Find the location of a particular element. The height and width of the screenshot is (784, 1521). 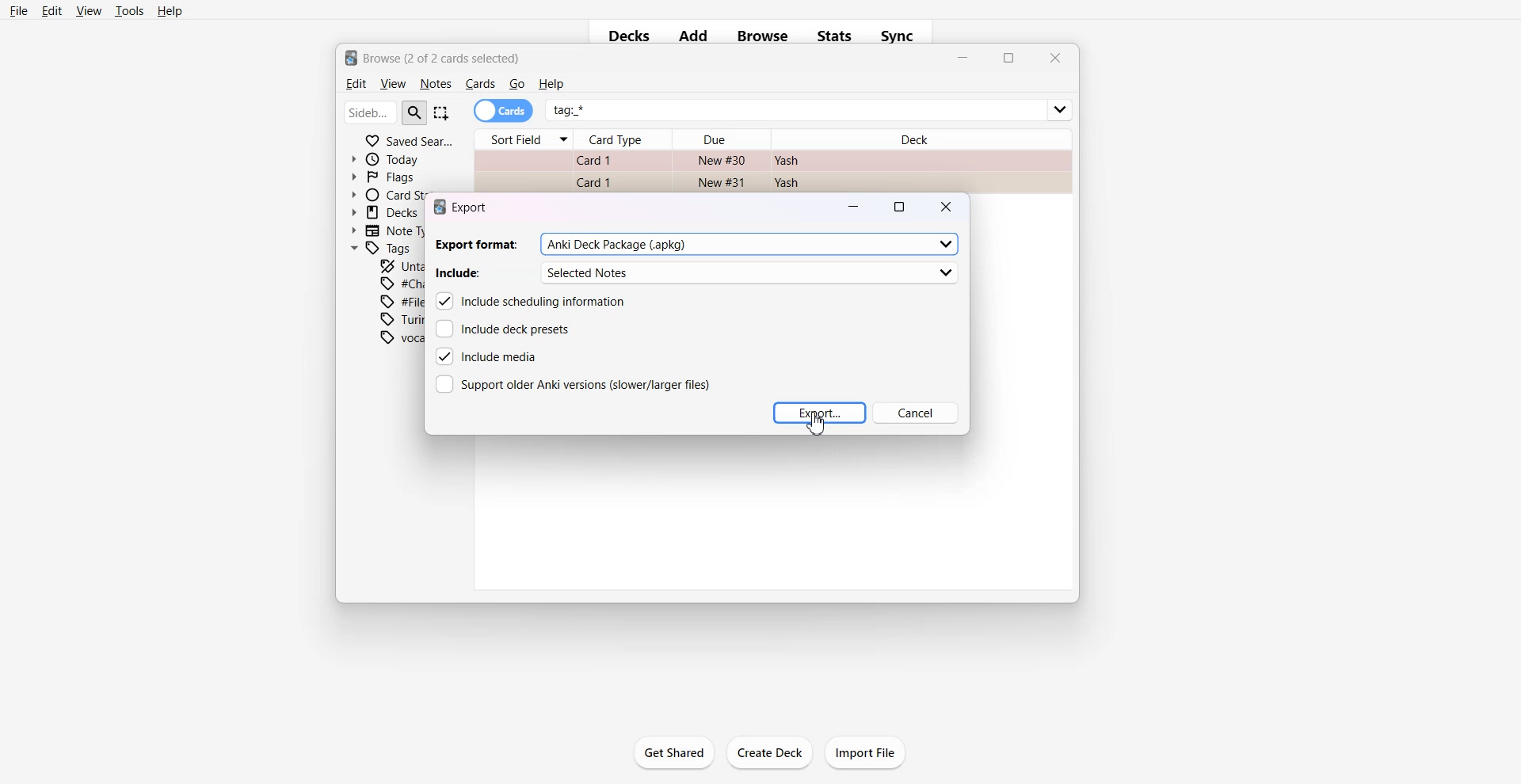

Deck is located at coordinates (920, 135).